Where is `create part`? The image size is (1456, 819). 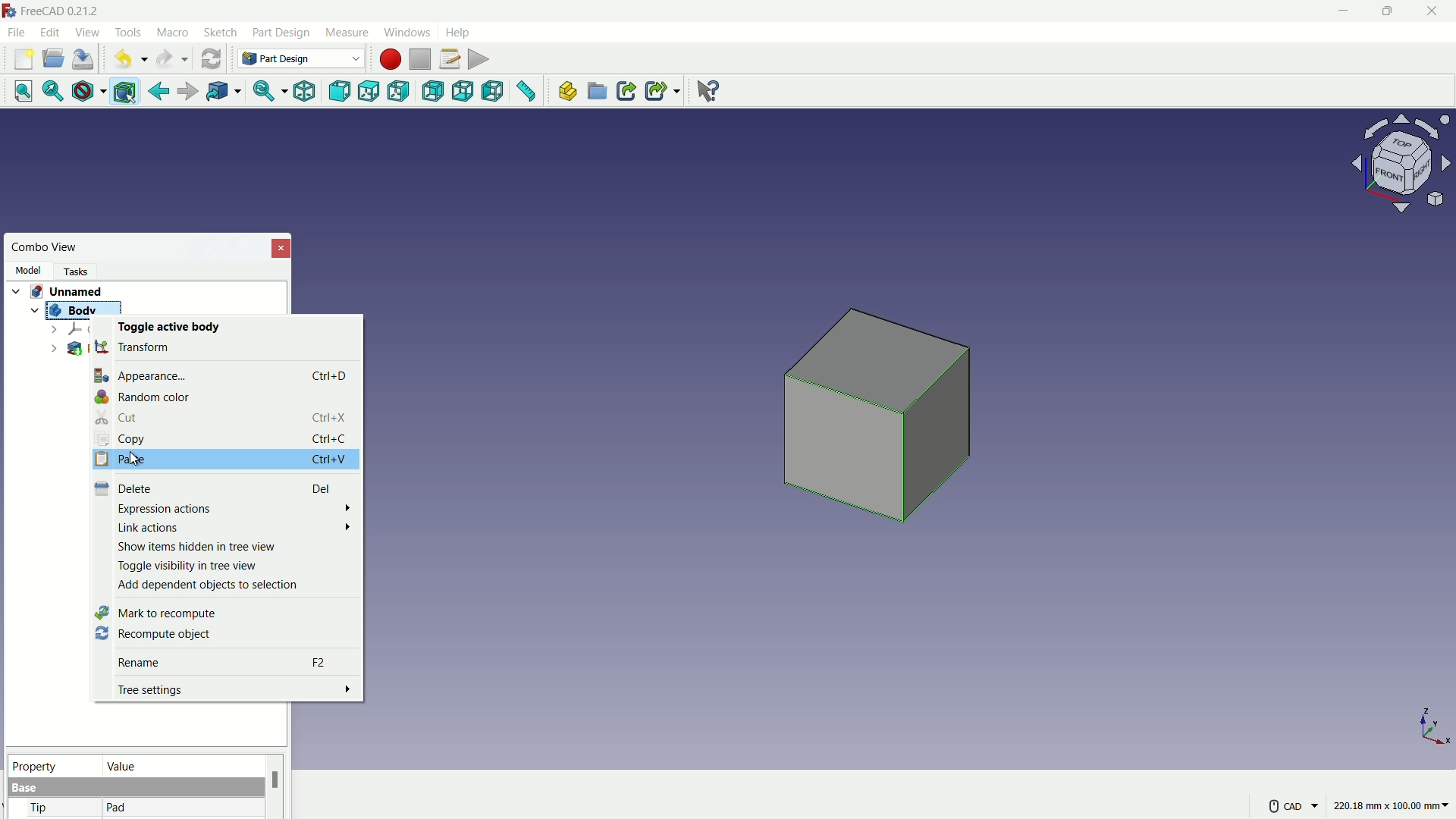
create part is located at coordinates (566, 92).